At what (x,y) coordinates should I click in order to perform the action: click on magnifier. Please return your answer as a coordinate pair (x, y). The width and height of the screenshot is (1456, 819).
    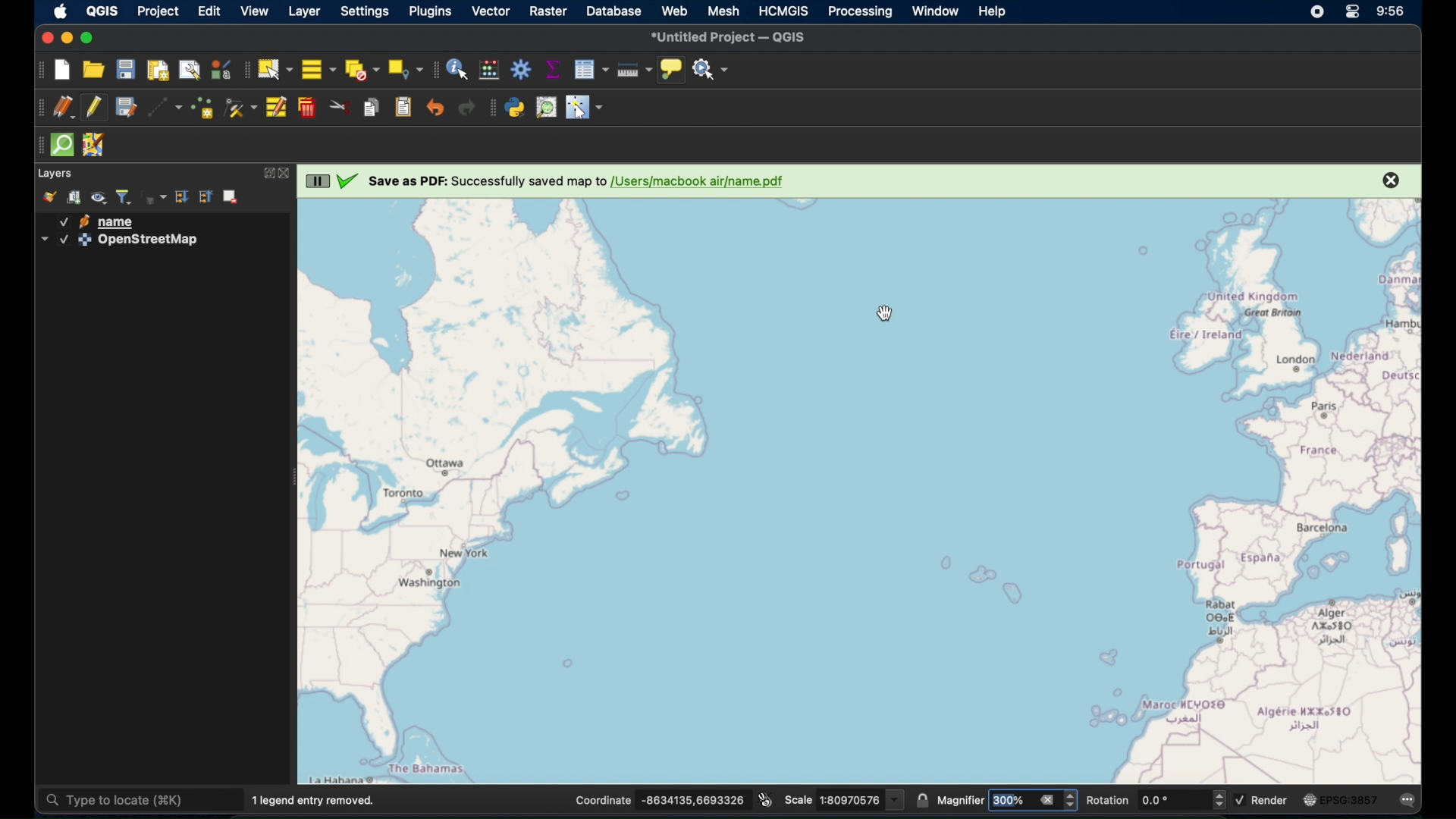
    Looking at the image, I should click on (1008, 799).